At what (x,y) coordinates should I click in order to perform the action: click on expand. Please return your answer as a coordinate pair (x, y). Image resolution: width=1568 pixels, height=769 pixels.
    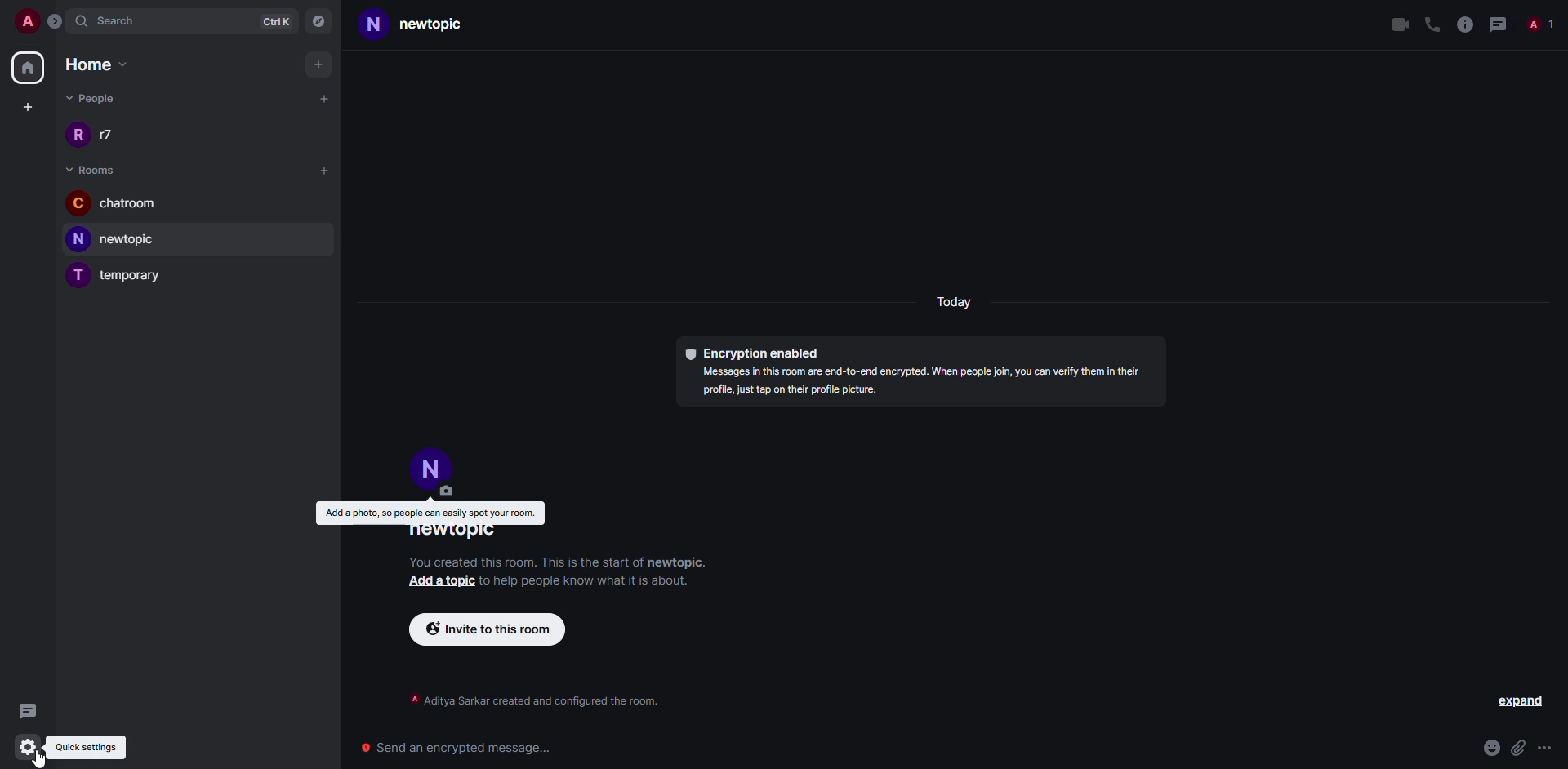
    Looking at the image, I should click on (1517, 701).